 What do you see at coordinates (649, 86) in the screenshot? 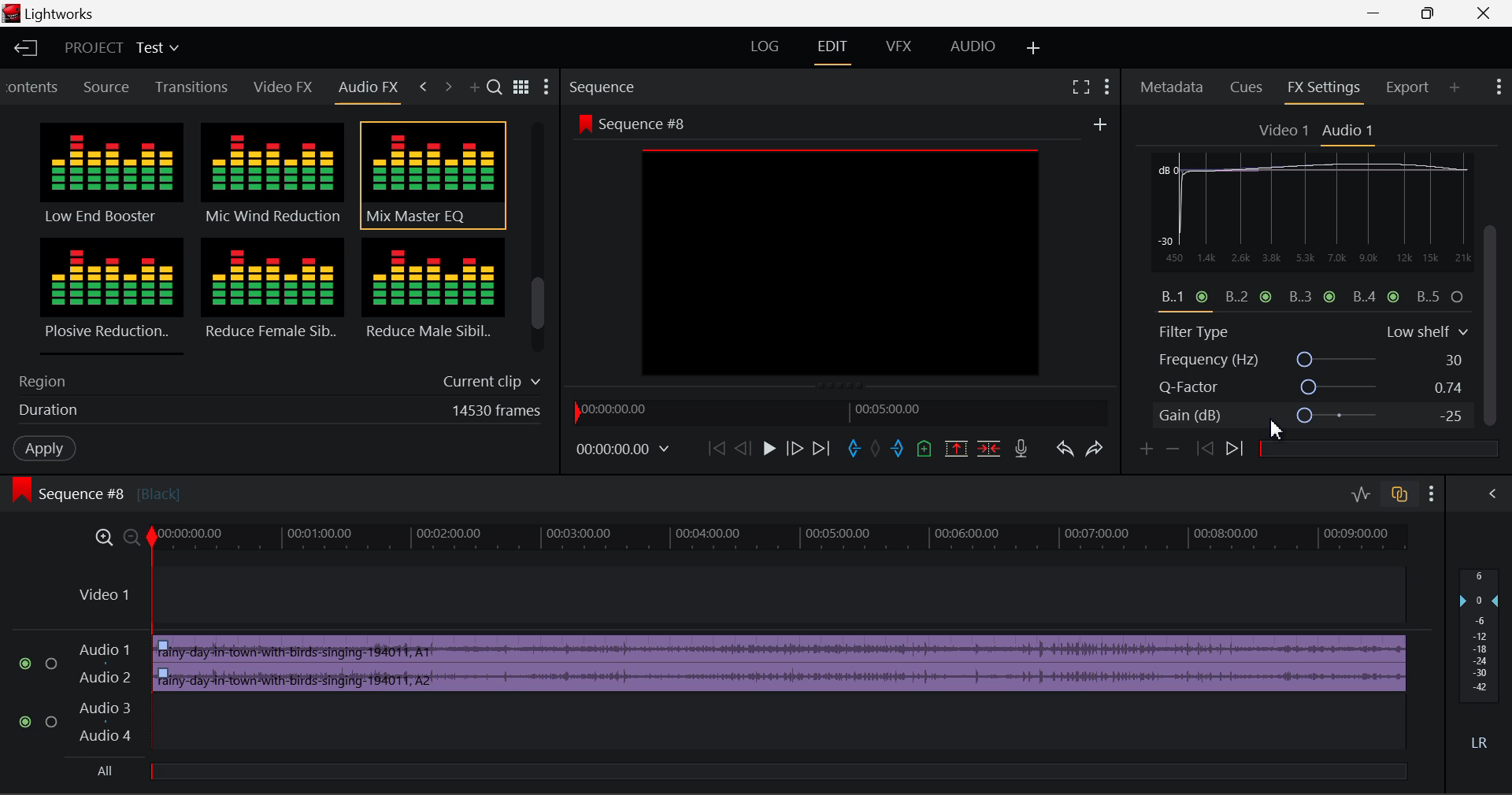
I see `Sequence Section` at bounding box center [649, 86].